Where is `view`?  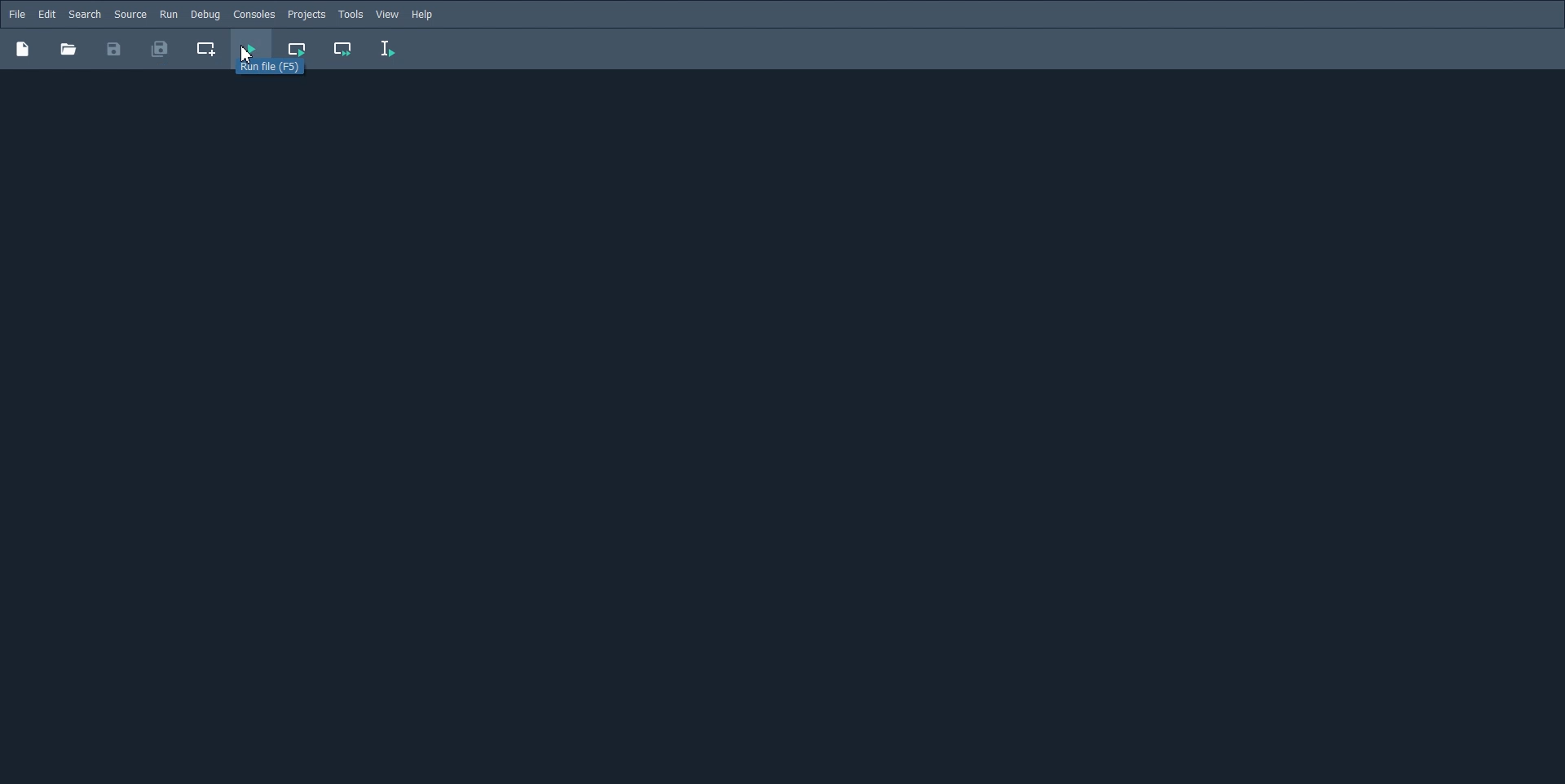 view is located at coordinates (388, 15).